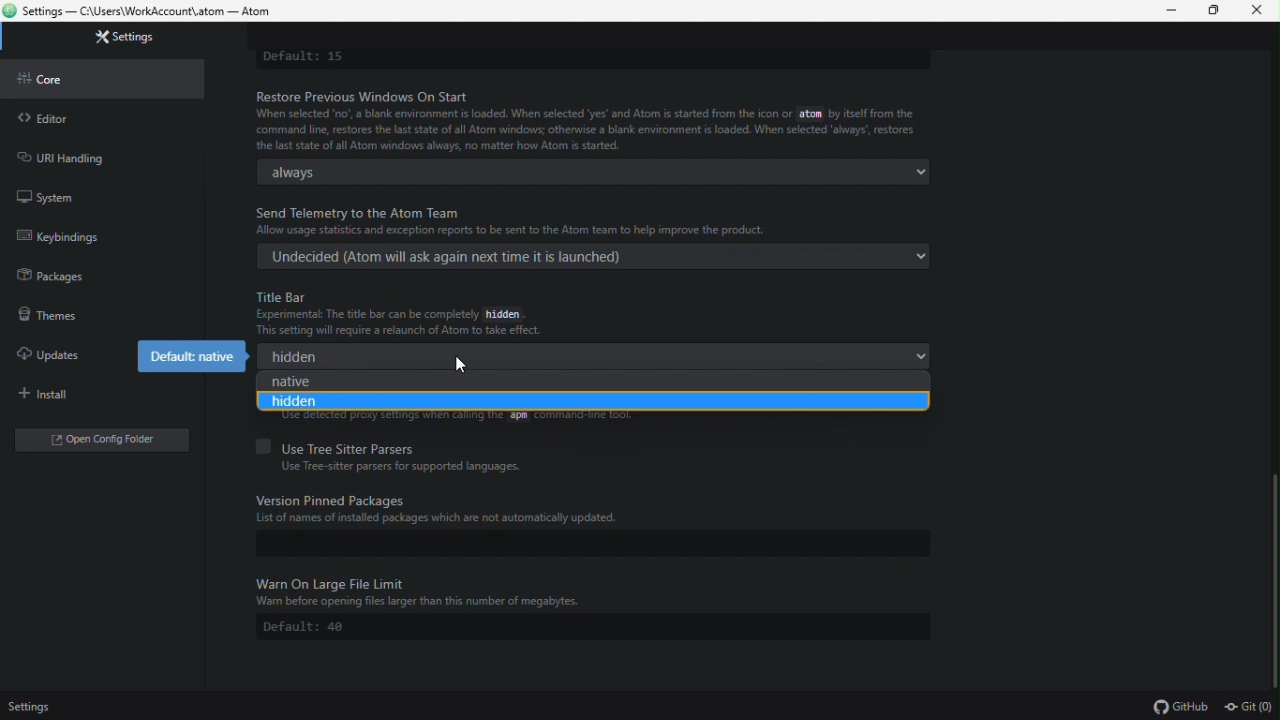  Describe the element at coordinates (585, 130) in the screenshot. I see `When selected 'no', a blank environment is loaded. When selected 'yes' and Atom is started from the icon or atom by itself from the command line, restores the last state of all Atom windows; otherwise a blank environment is loaded. When selected 'always', restores the last state of all Atom windows always, no matter how Atom is started.` at that location.